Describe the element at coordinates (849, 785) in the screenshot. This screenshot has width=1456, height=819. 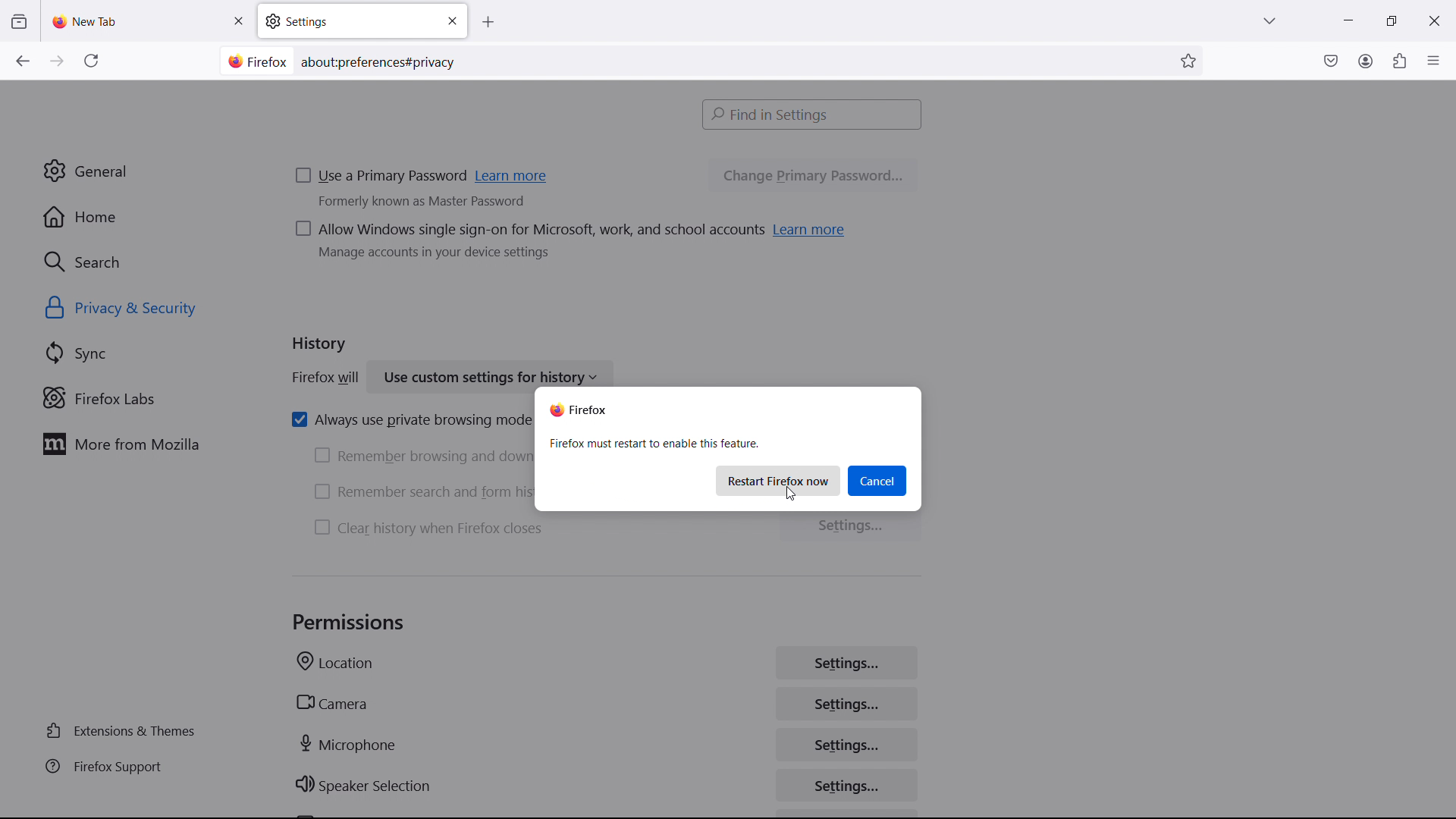
I see `speaker selection permission settings` at that location.